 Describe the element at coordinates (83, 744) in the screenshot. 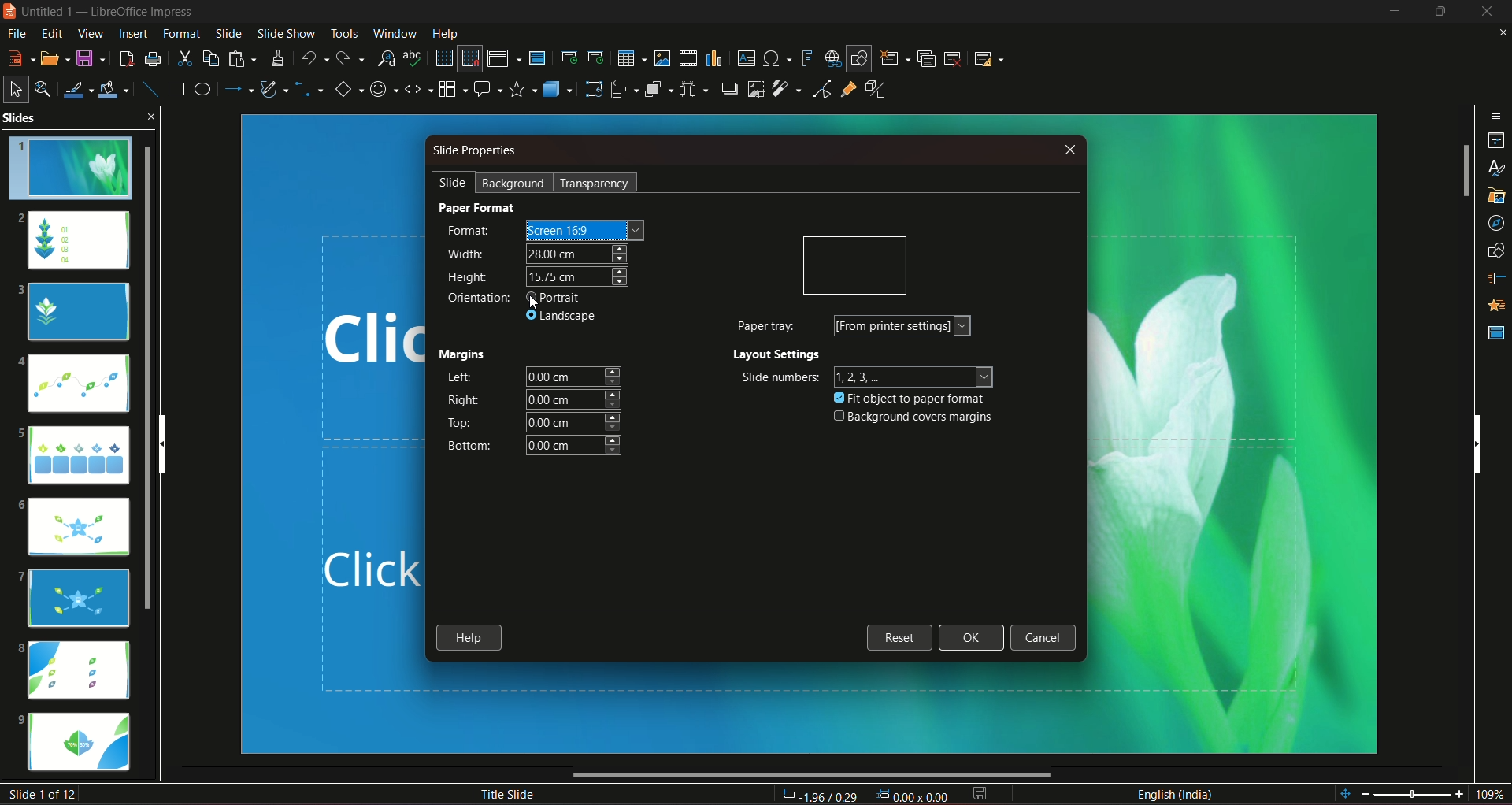

I see `slide 9` at that location.